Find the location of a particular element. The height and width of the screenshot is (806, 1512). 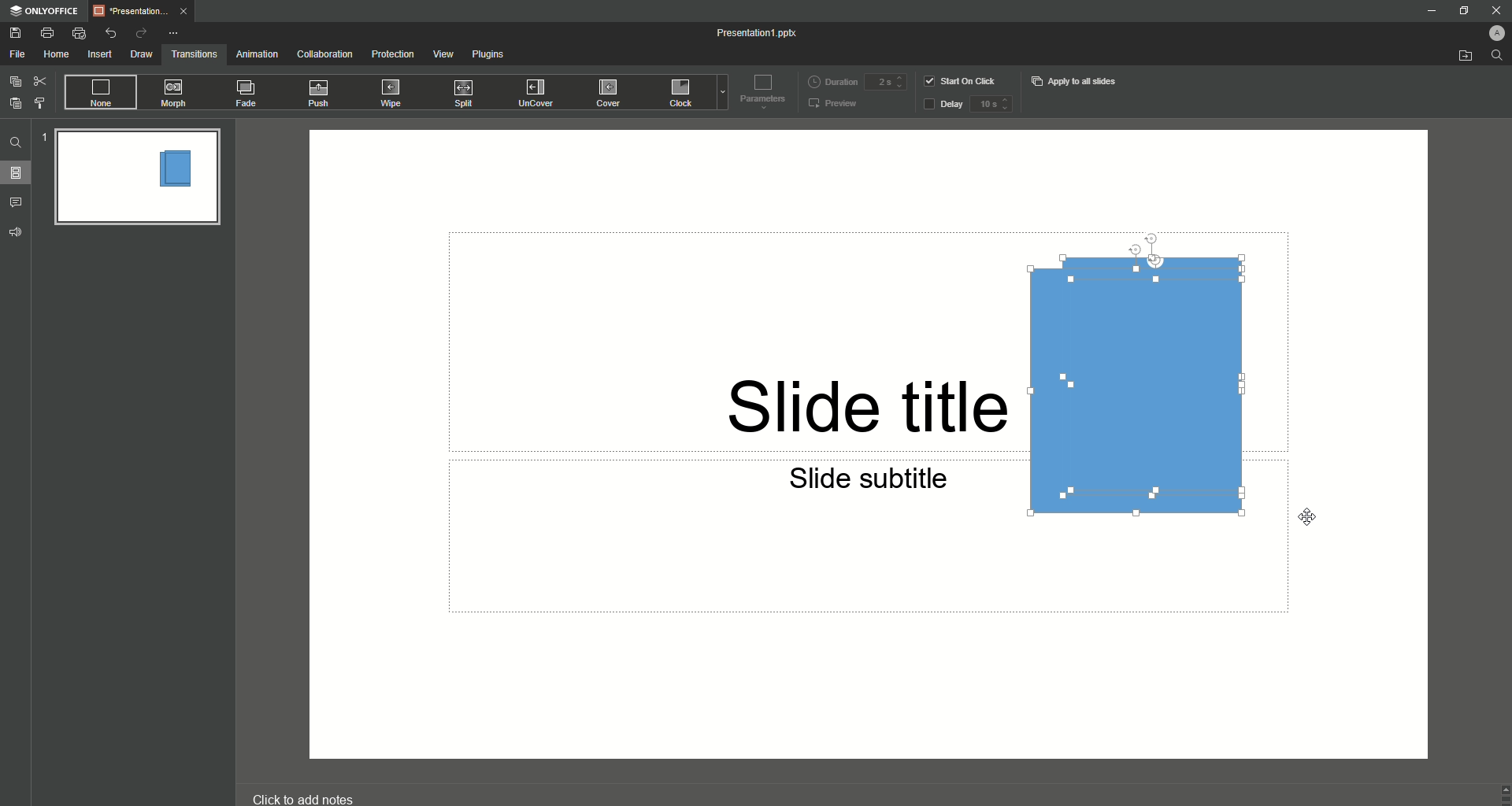

Draw is located at coordinates (142, 54).